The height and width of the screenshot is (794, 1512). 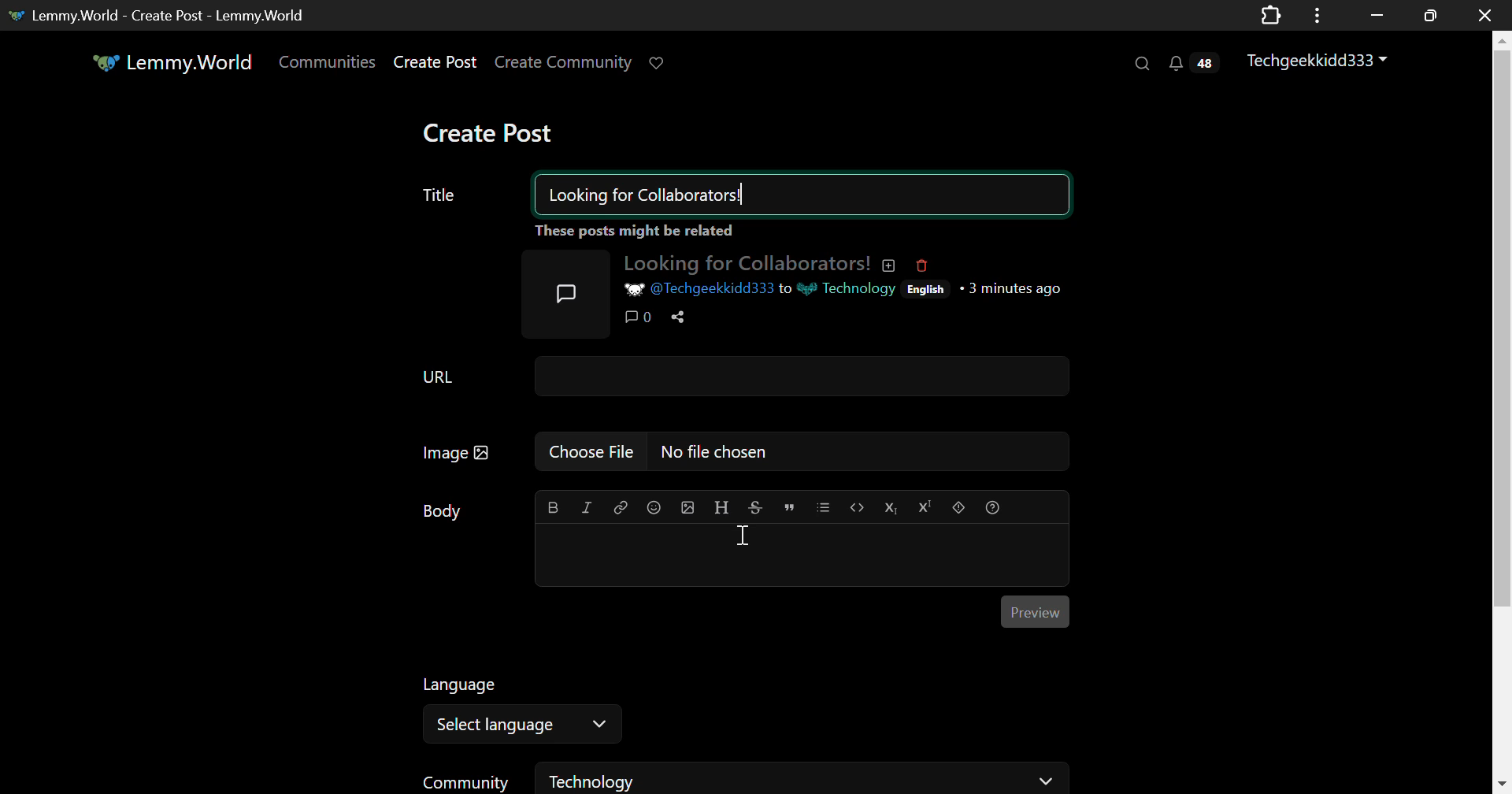 I want to click on Cursor on Post Body Textbox, so click(x=746, y=536).